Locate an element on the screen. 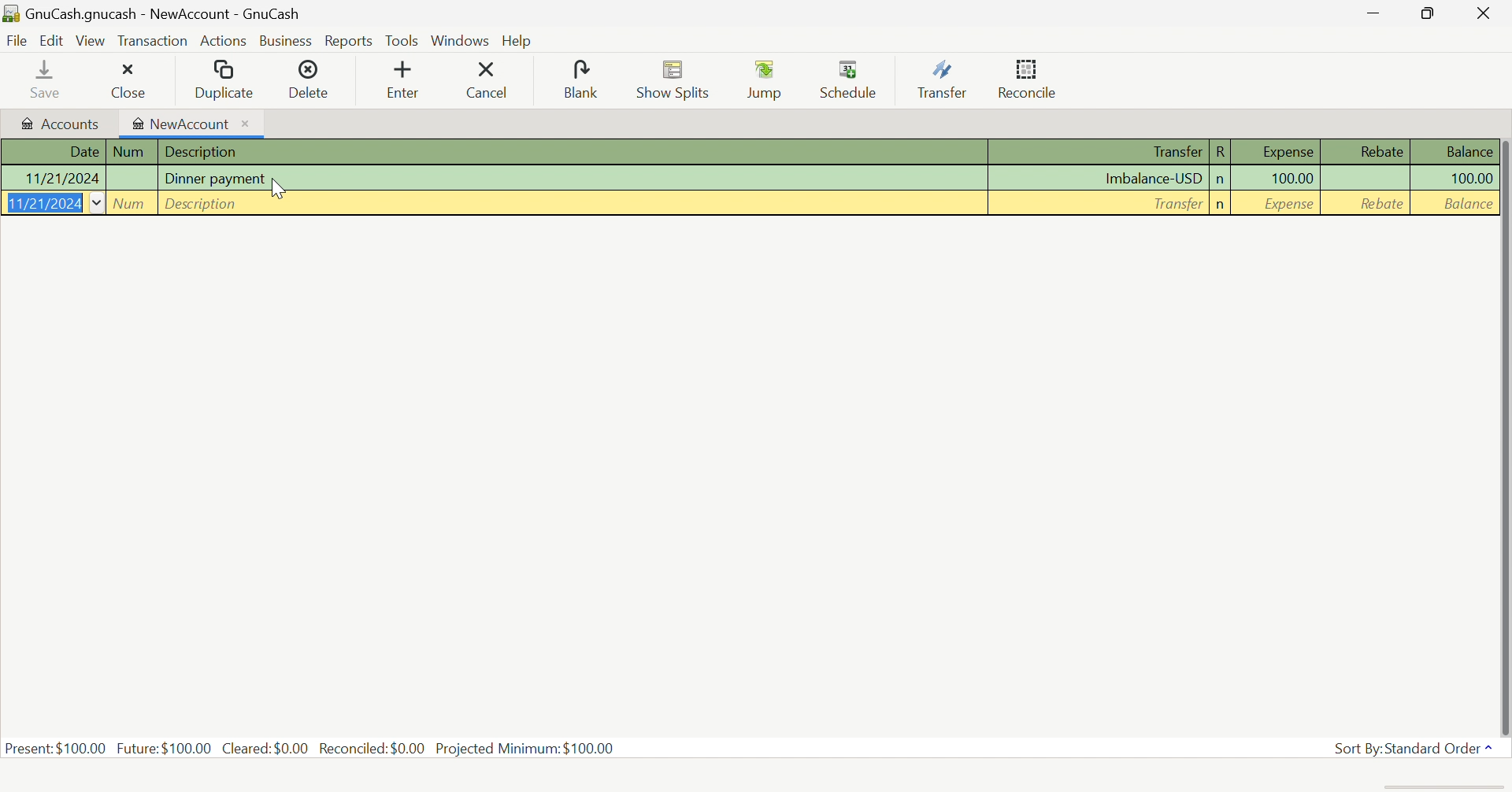 Image resolution: width=1512 pixels, height=792 pixels. R is located at coordinates (1222, 152).